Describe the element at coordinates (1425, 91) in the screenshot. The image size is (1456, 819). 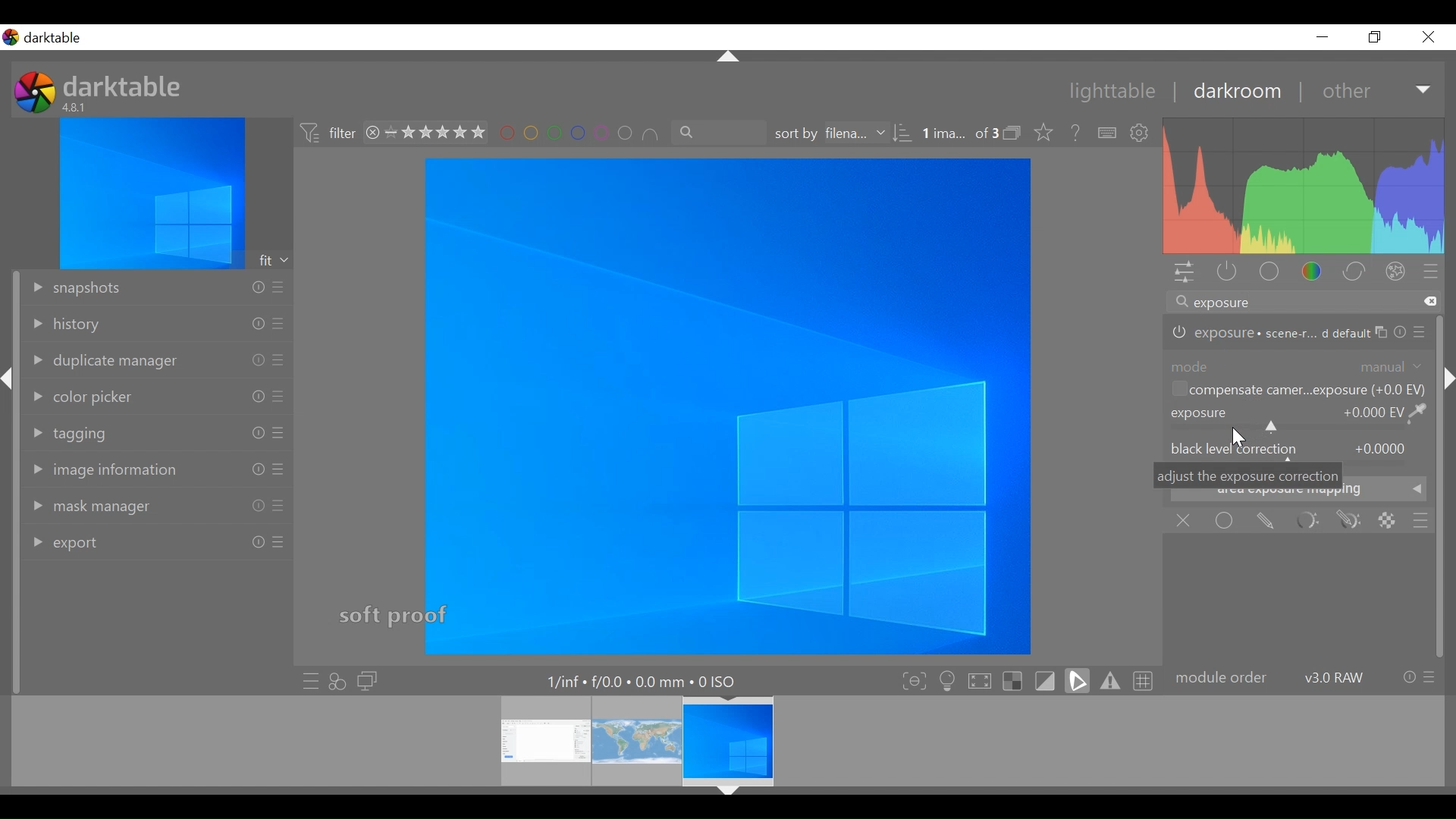
I see `Expand` at that location.